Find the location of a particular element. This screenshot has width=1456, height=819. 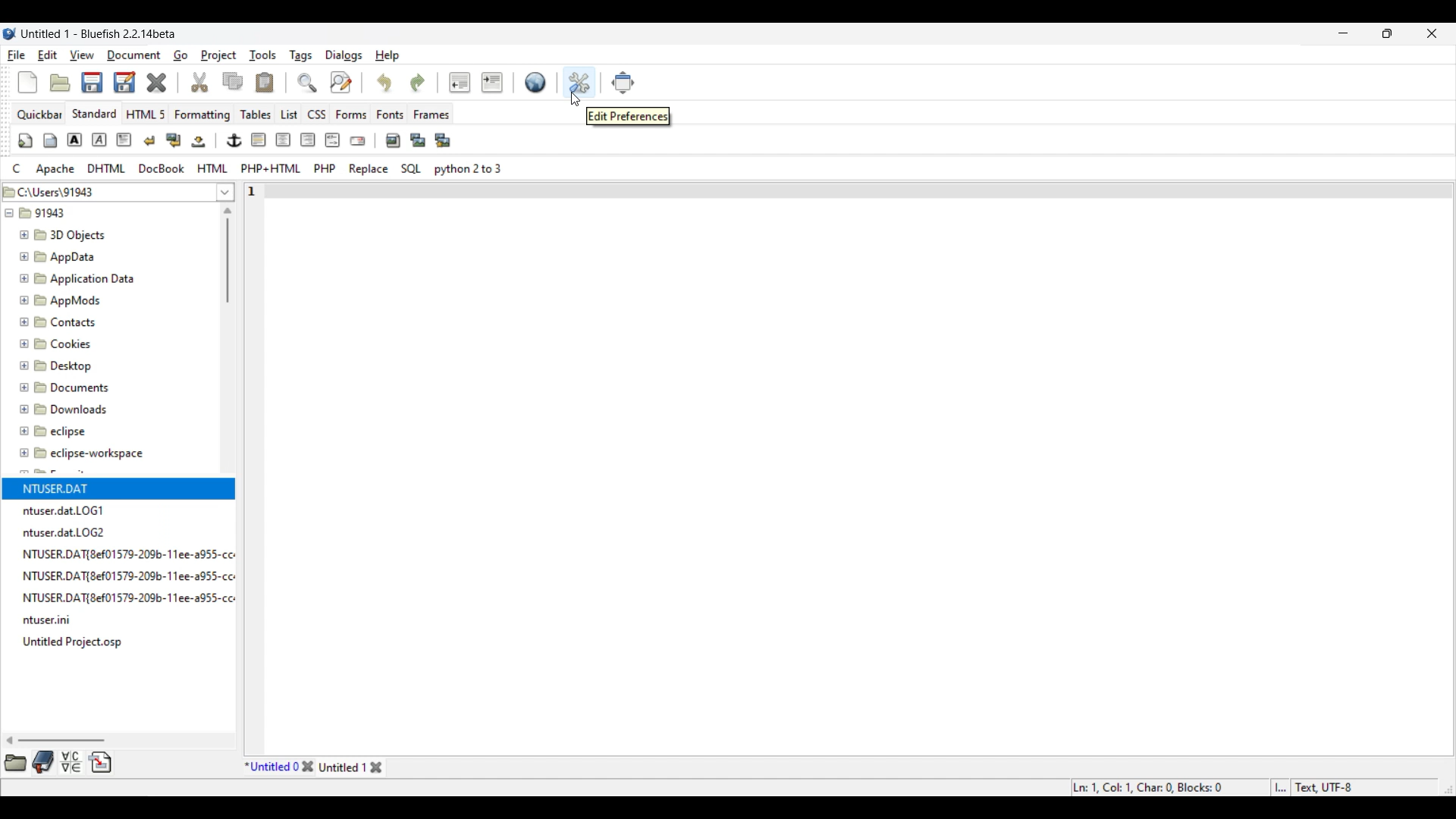

More tool options is located at coordinates (58, 762).